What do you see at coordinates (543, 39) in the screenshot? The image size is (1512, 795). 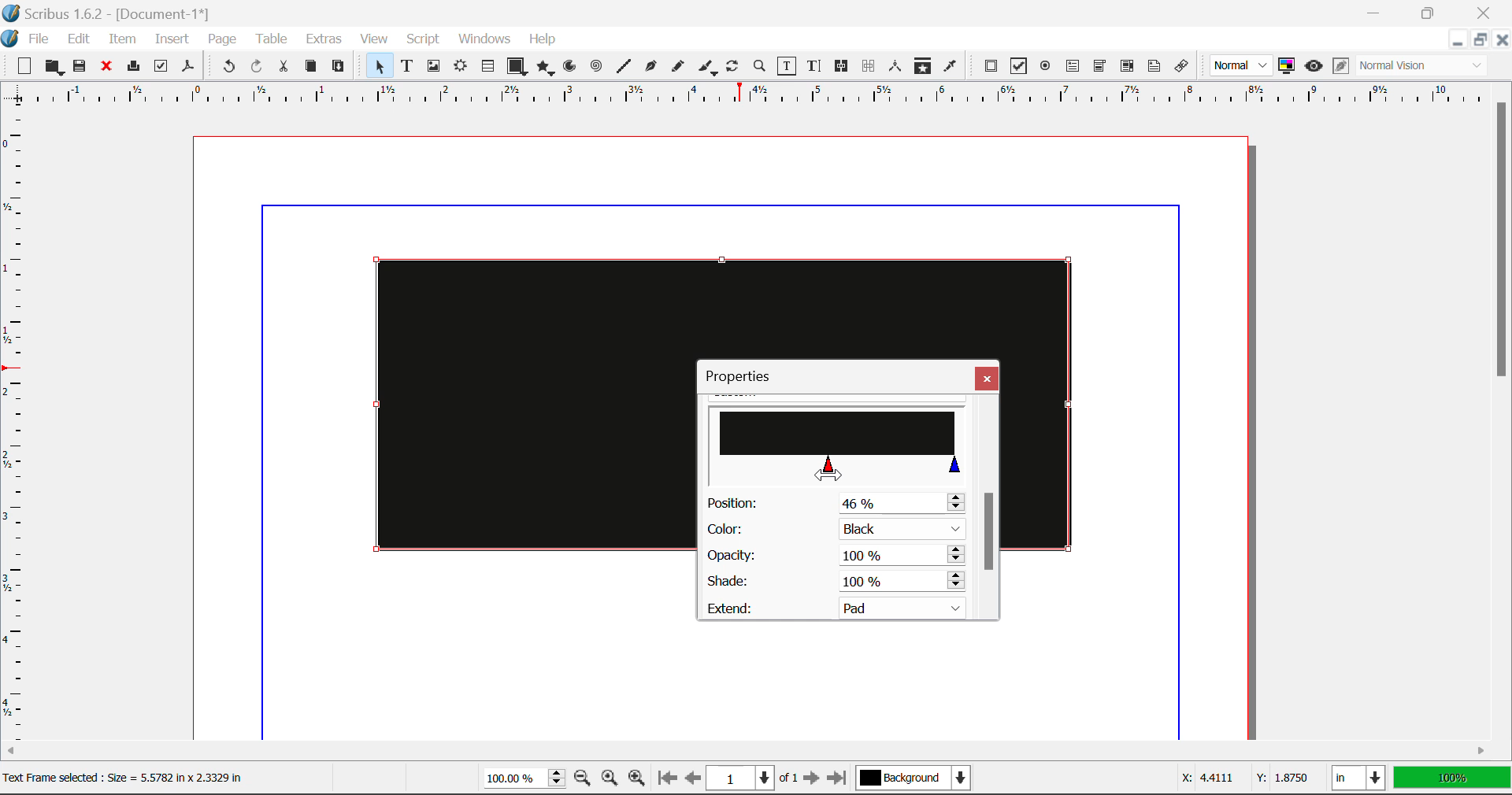 I see `Help` at bounding box center [543, 39].